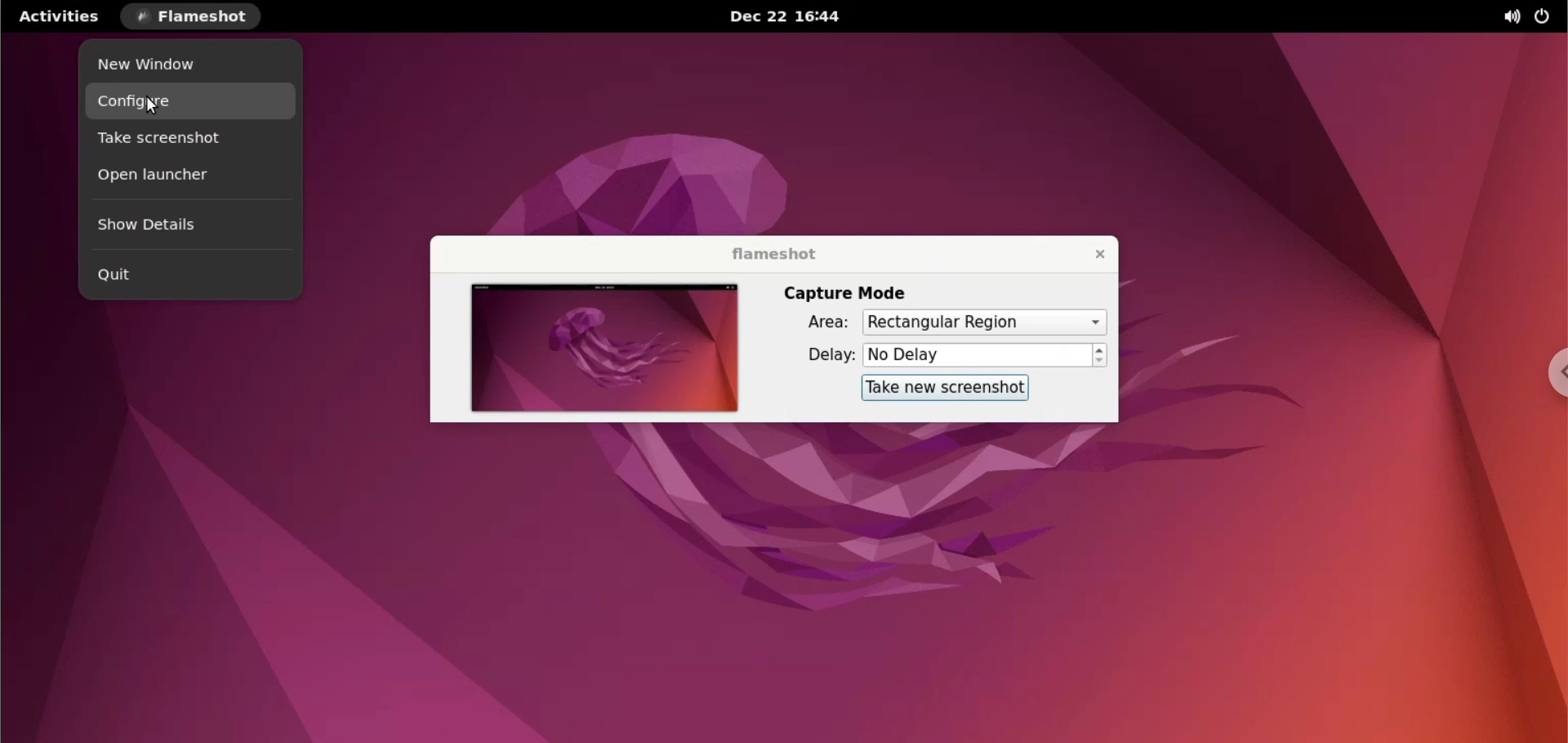 This screenshot has height=743, width=1568. I want to click on sound options, so click(1505, 17).